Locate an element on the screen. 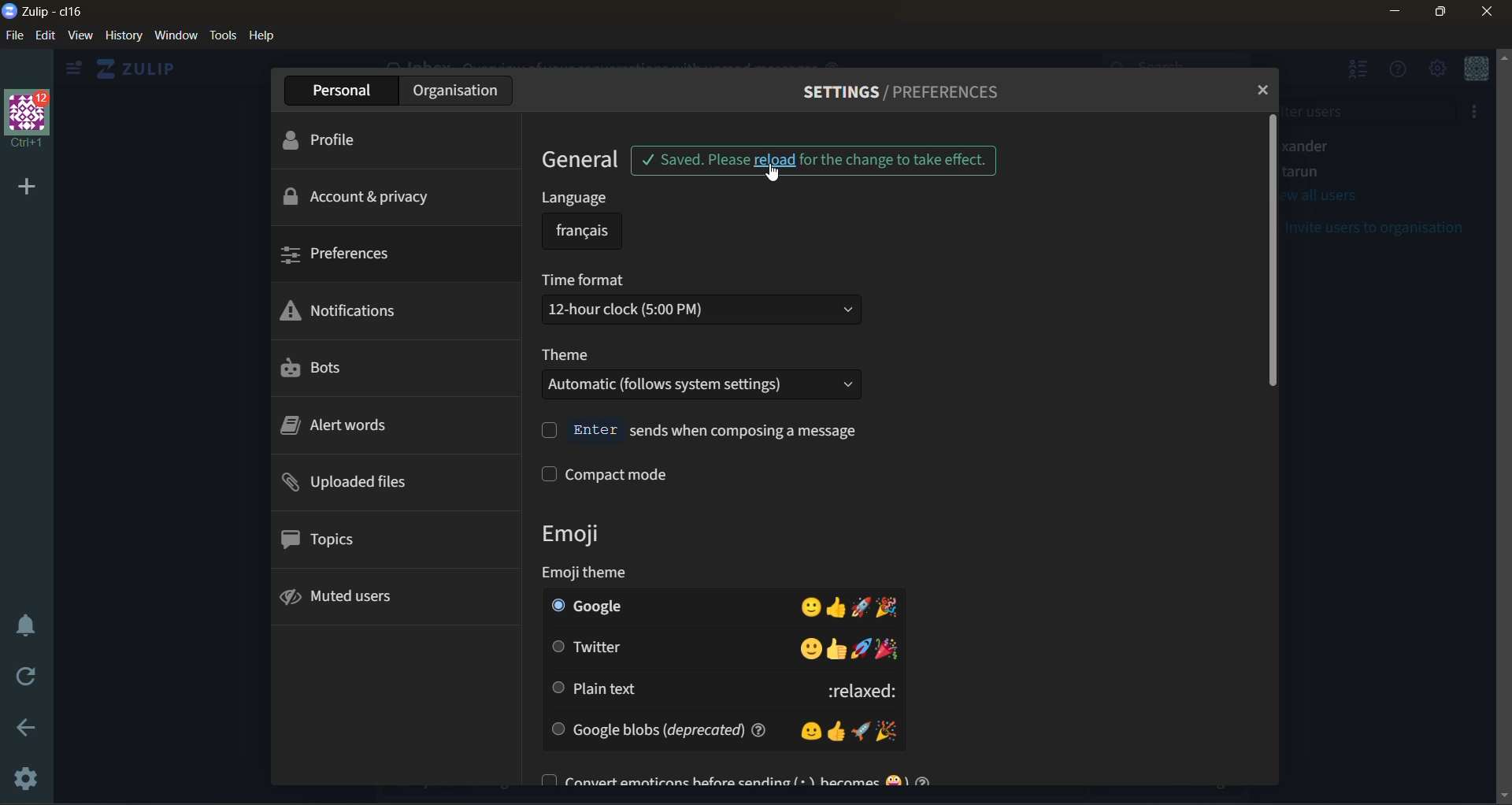  show left side bar is located at coordinates (73, 69).